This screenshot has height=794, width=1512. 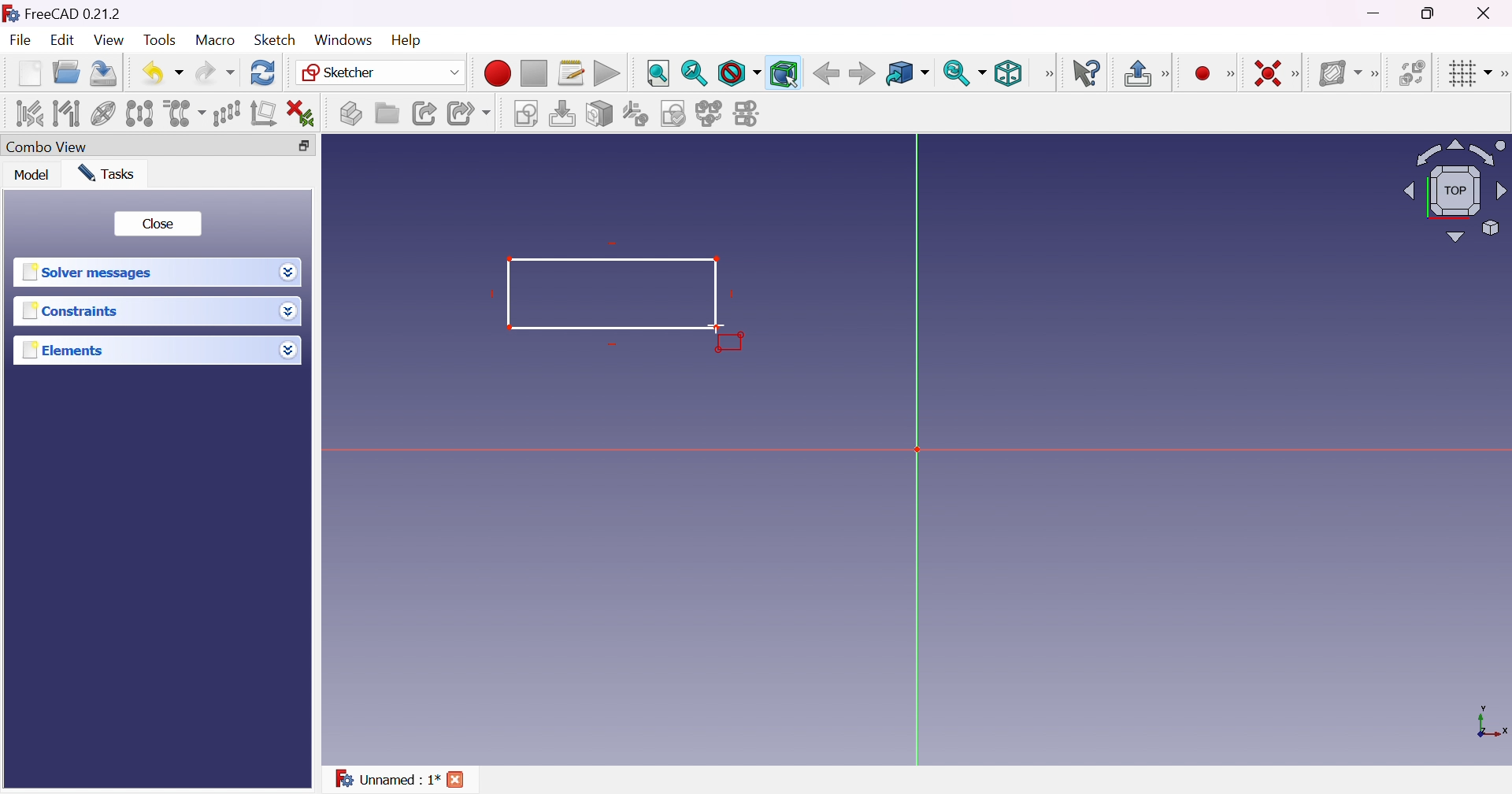 I want to click on Validate sketch..., so click(x=673, y=114).